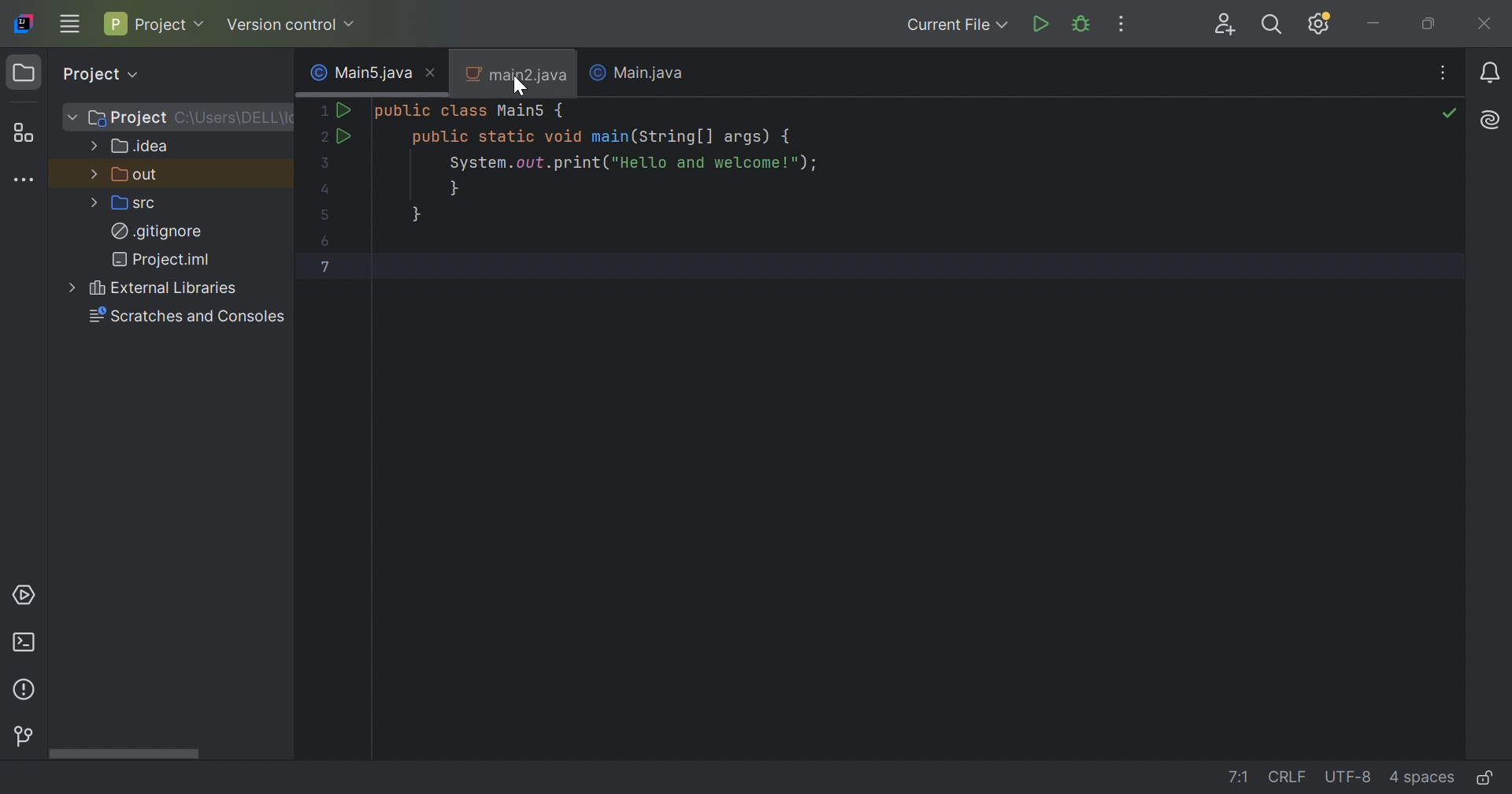  I want to click on public class Main5 {, so click(472, 111).